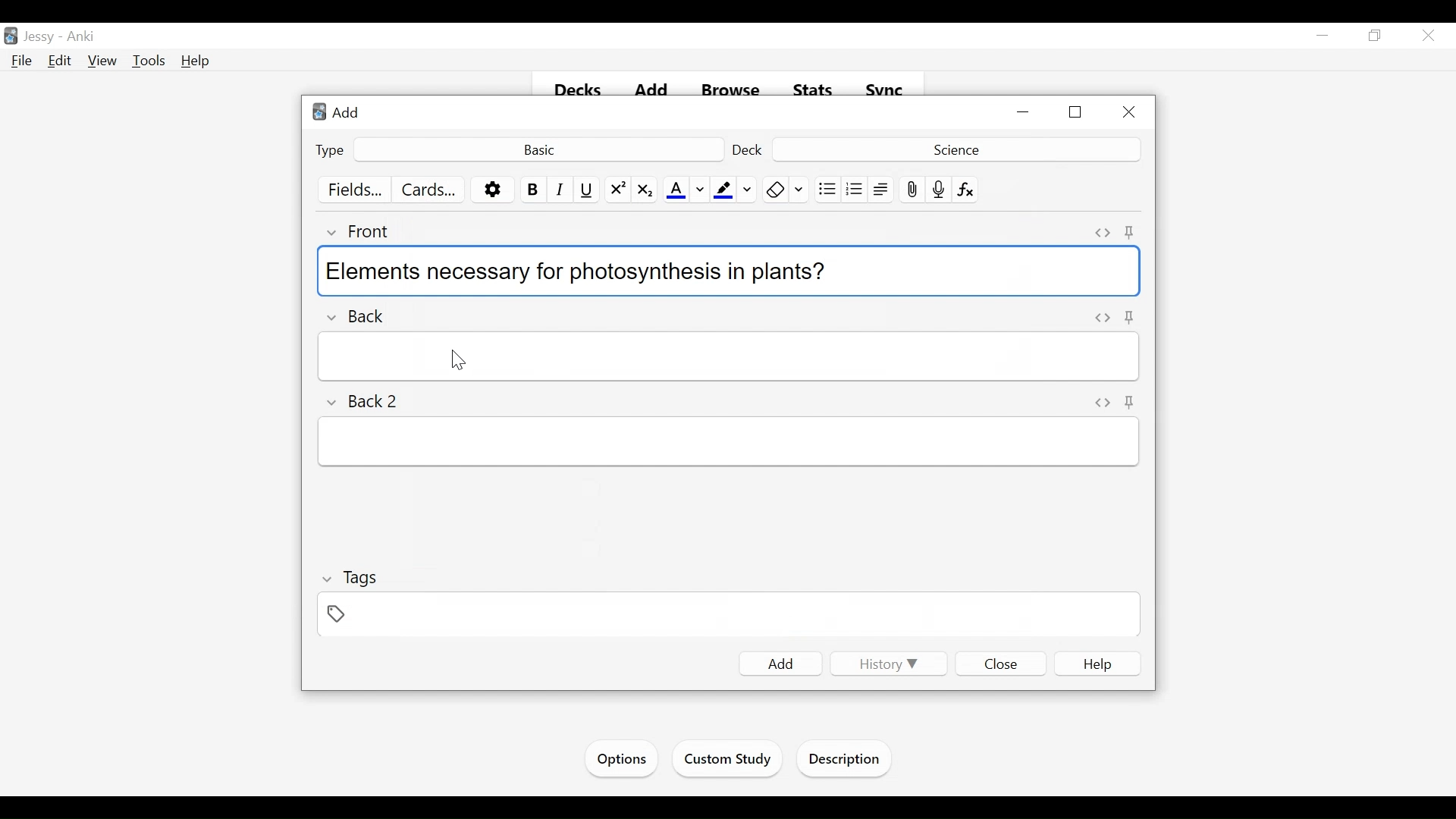 This screenshot has height=819, width=1456. Describe the element at coordinates (149, 61) in the screenshot. I see `Tools` at that location.